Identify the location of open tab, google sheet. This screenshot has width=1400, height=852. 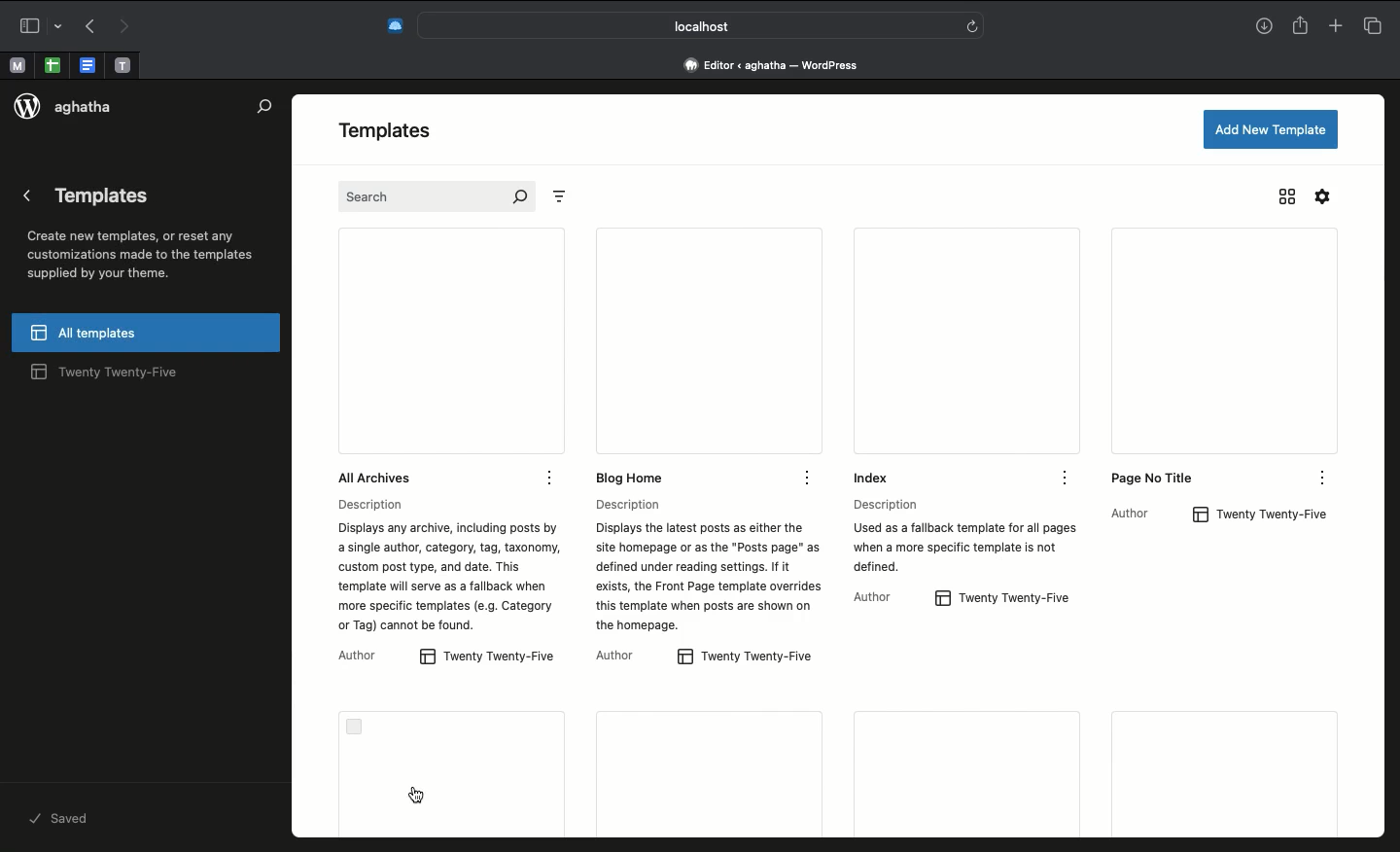
(51, 65).